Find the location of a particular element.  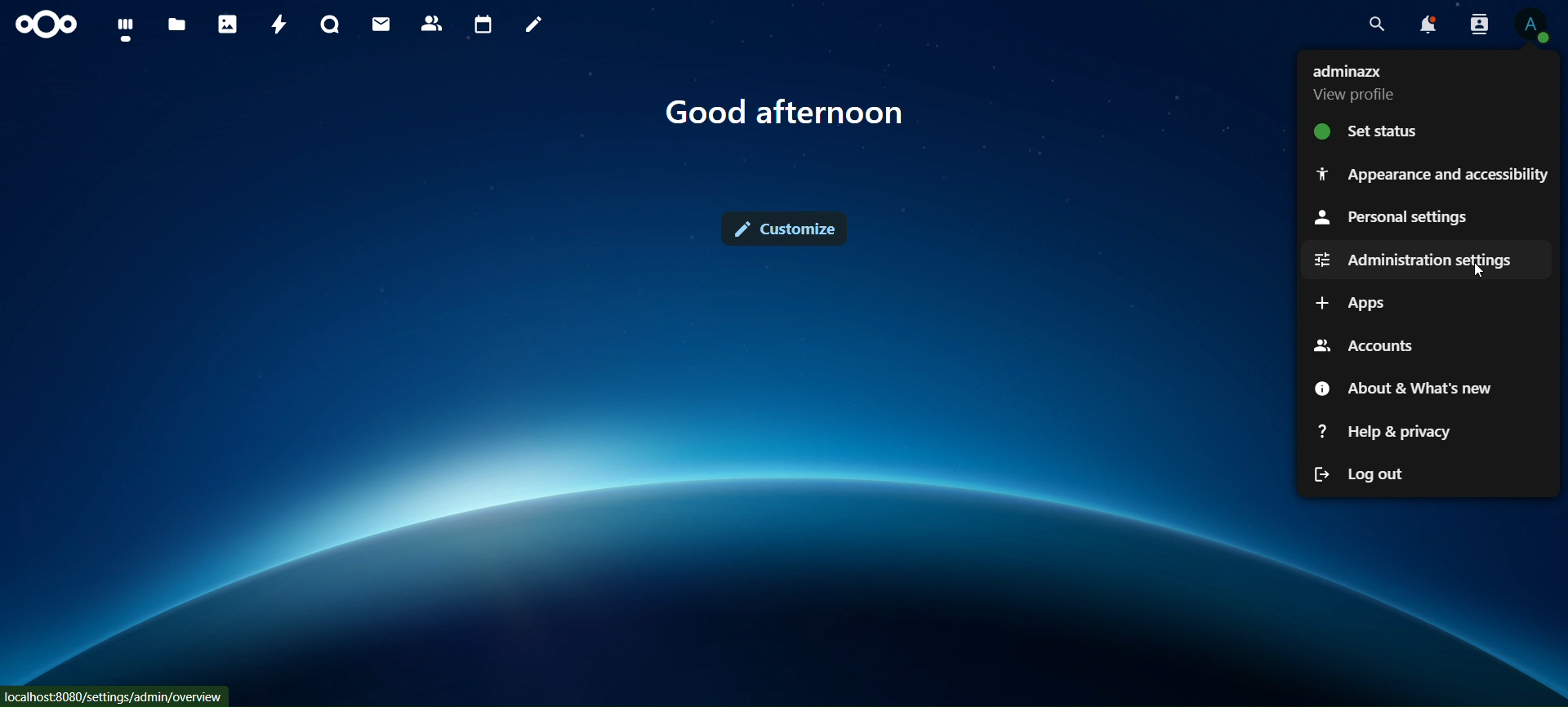

View Profile is located at coordinates (1536, 26).